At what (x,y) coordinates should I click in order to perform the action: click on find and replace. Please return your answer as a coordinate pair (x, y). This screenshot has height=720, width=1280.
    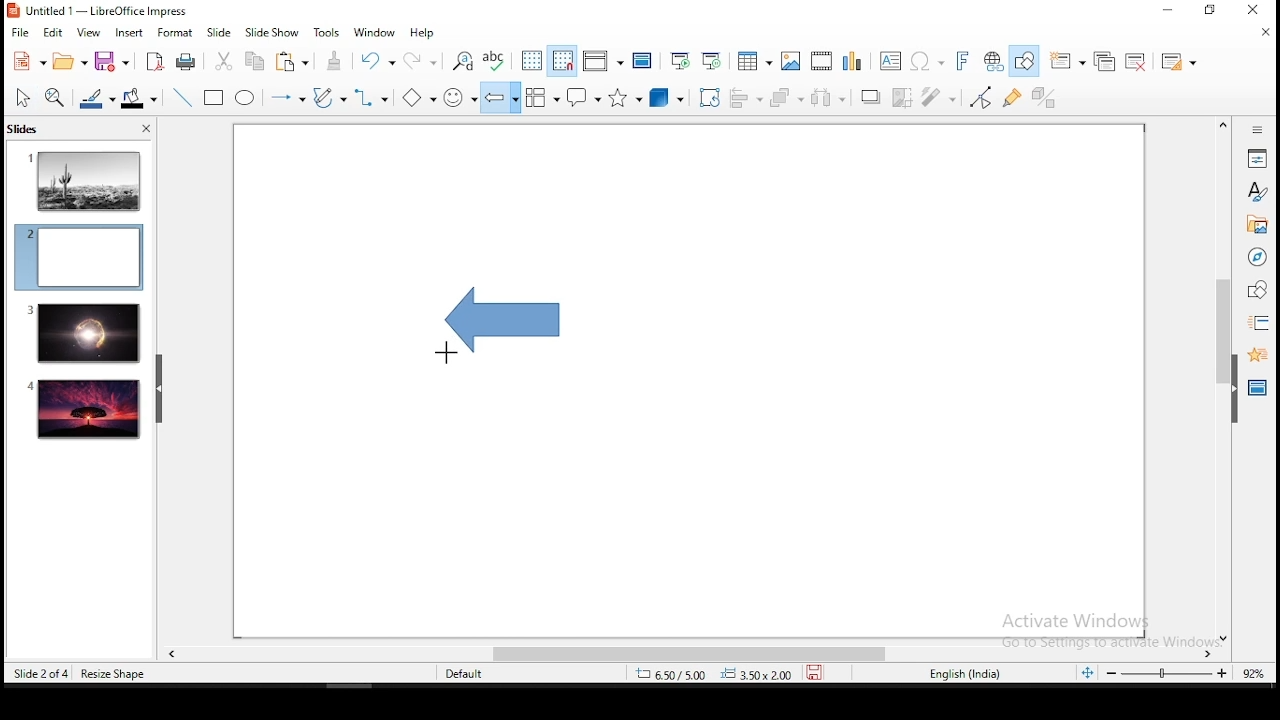
    Looking at the image, I should click on (461, 59).